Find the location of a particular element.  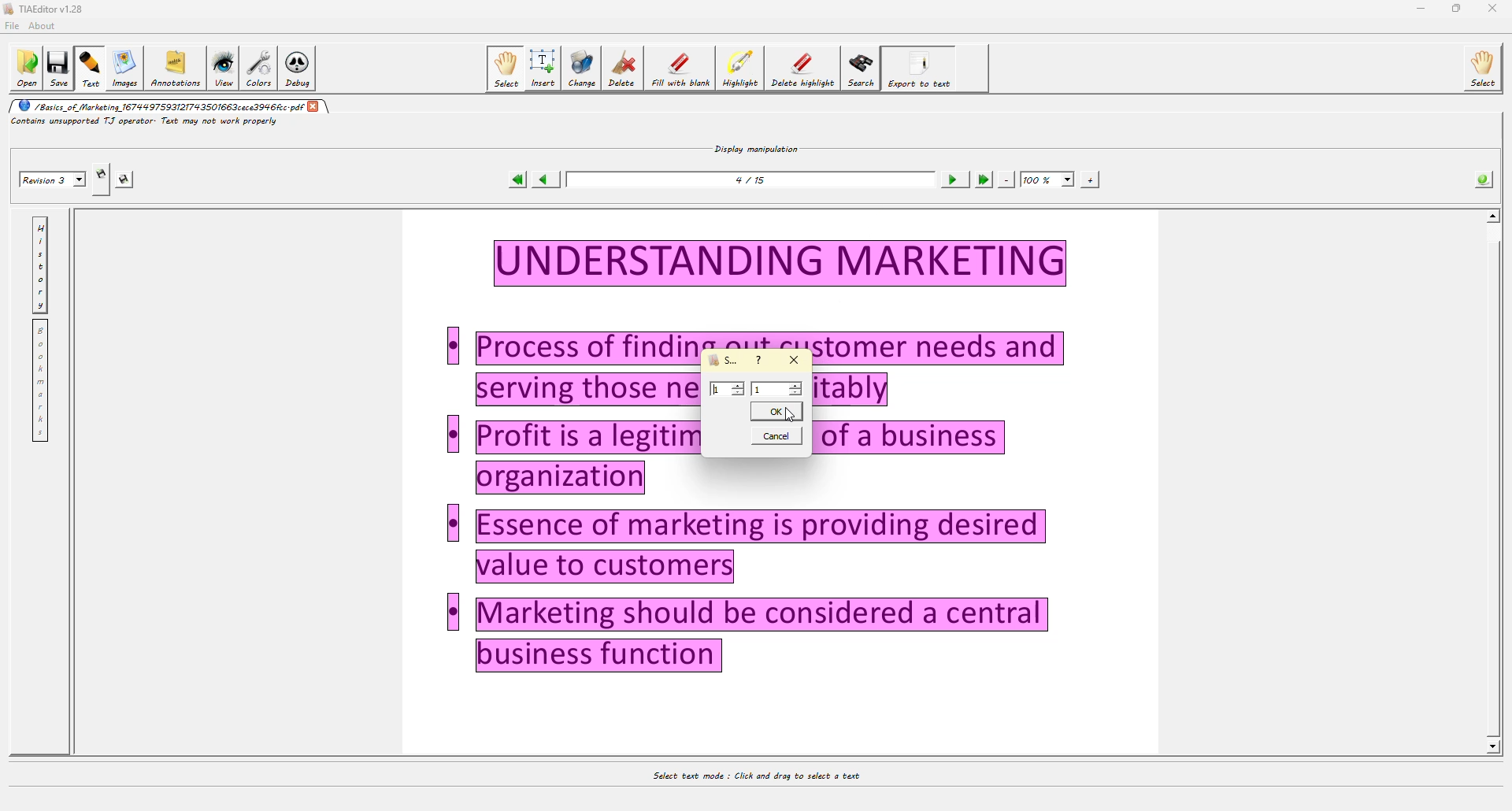

minimize is located at coordinates (1416, 9).